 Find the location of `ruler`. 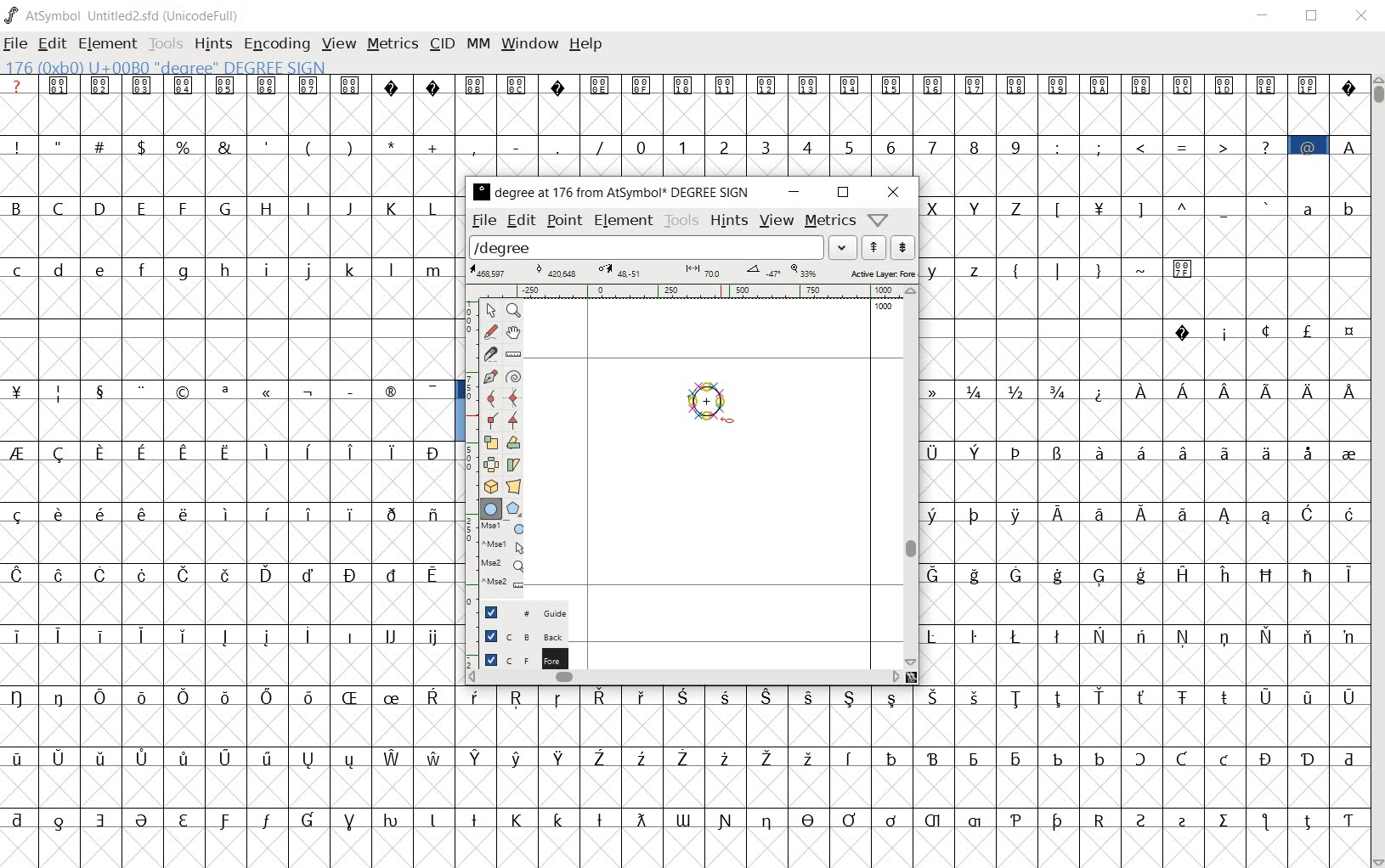

ruler is located at coordinates (682, 292).